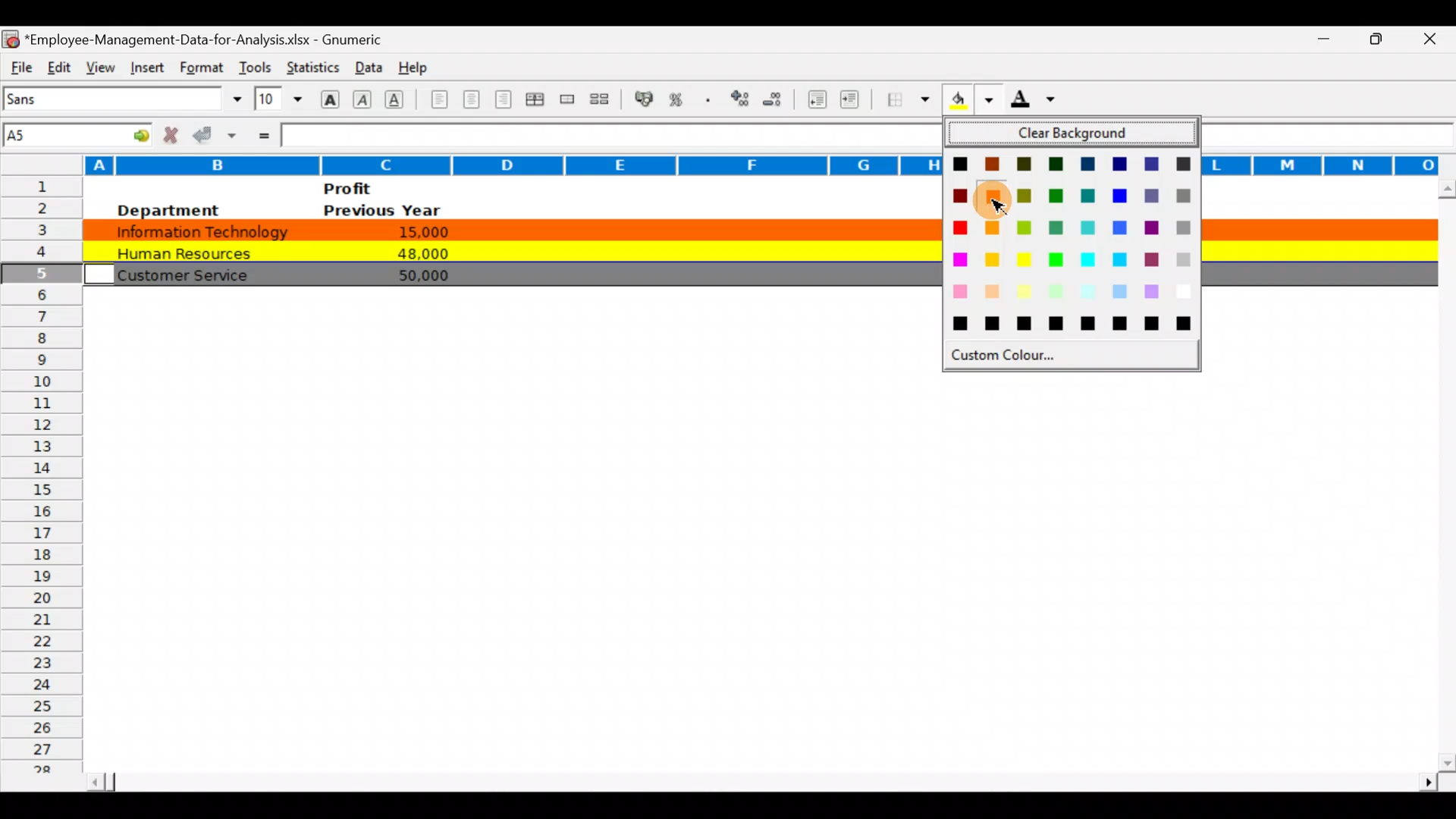 Image resolution: width=1456 pixels, height=819 pixels. What do you see at coordinates (79, 131) in the screenshot?
I see `Cell name` at bounding box center [79, 131].